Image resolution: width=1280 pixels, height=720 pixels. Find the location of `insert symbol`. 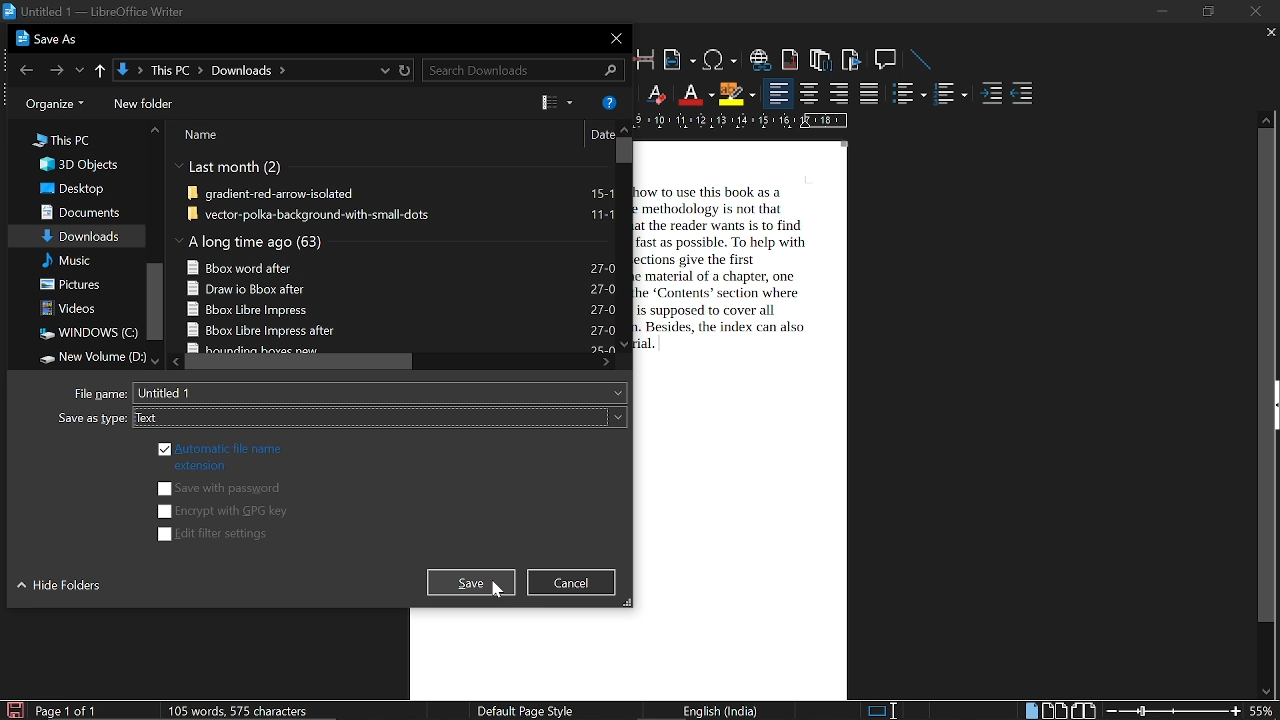

insert symbol is located at coordinates (722, 60).